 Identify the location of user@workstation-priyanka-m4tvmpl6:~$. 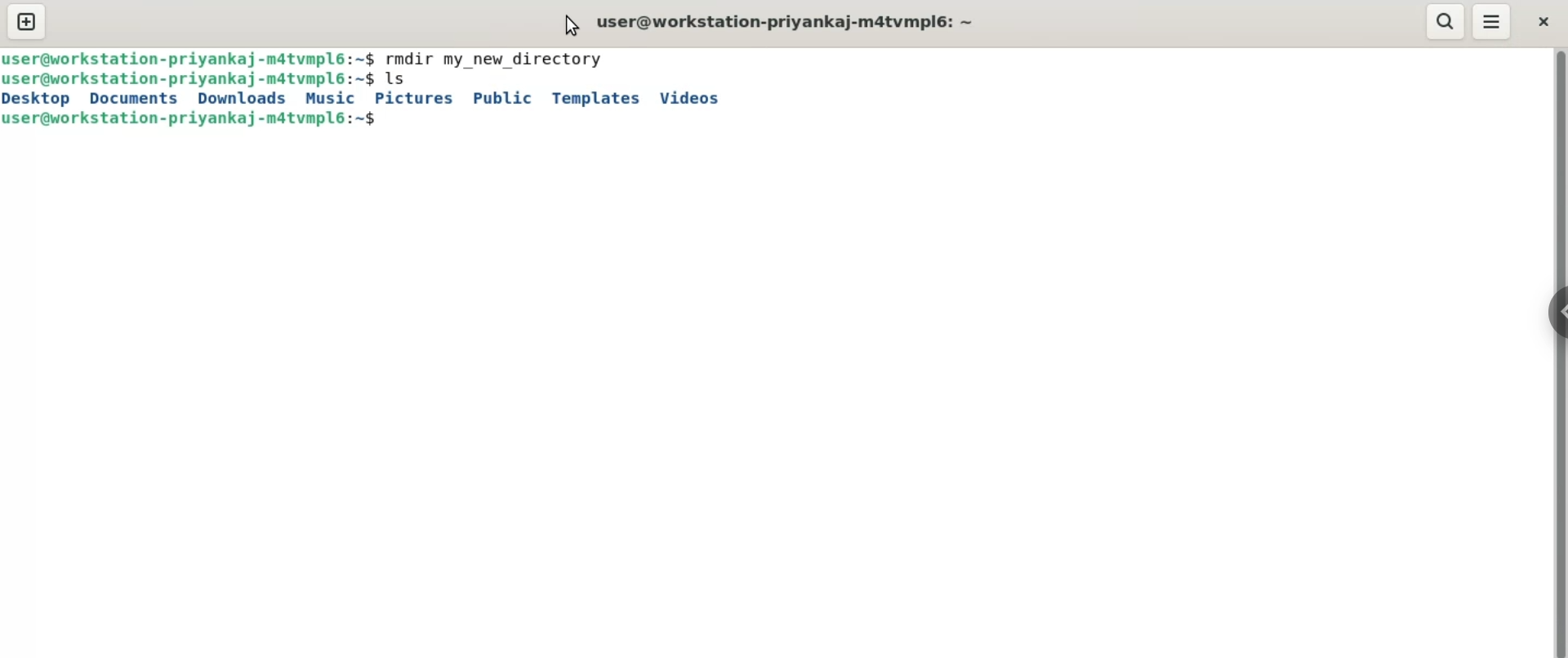
(192, 58).